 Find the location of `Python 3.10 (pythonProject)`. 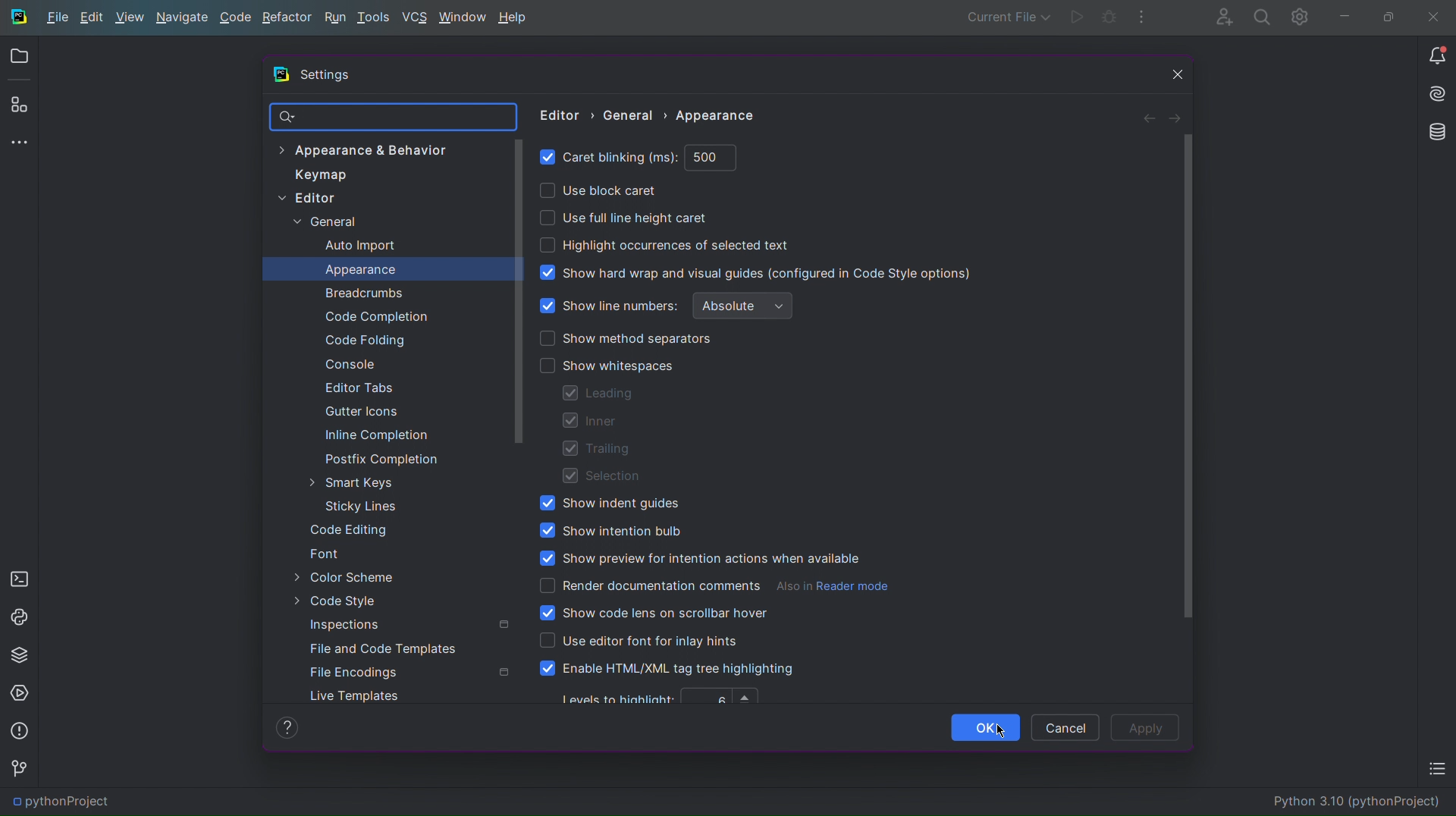

Python 3.10 (pythonProject) is located at coordinates (1359, 801).